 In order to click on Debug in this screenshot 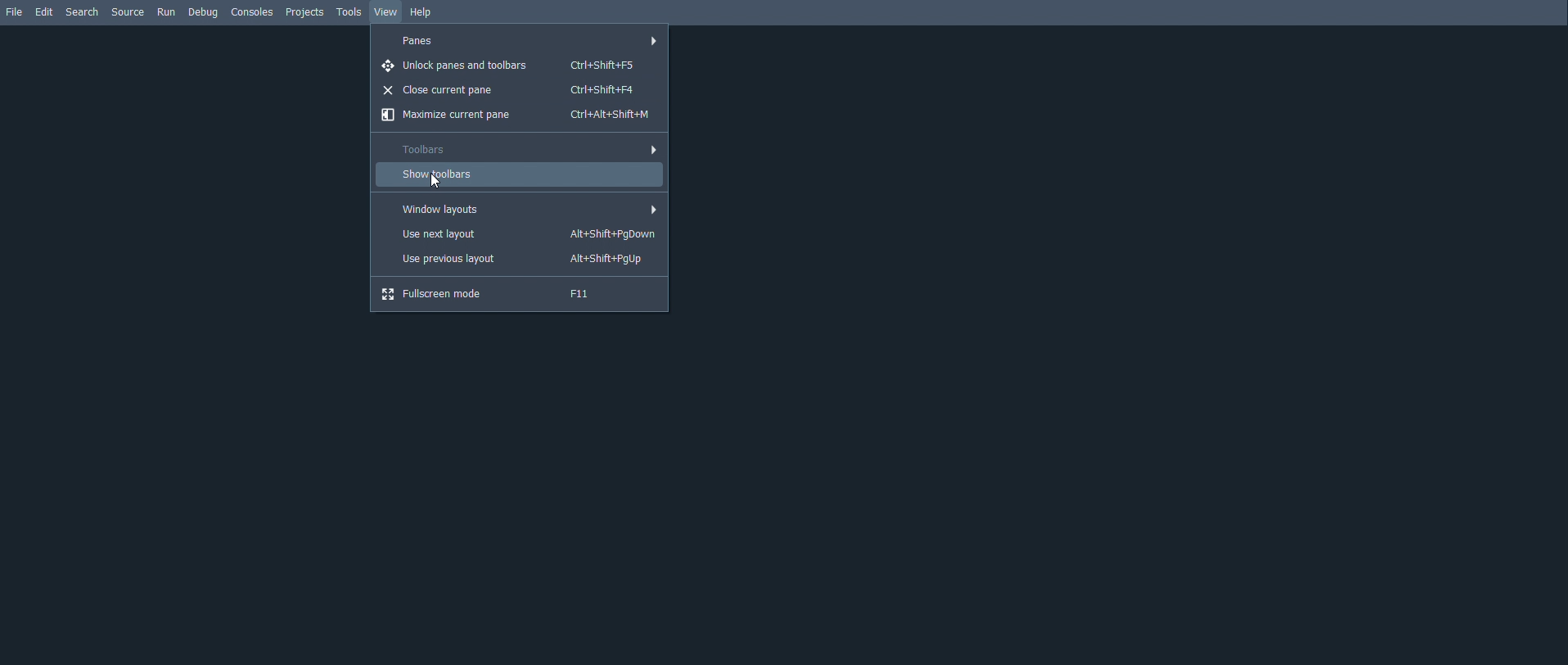, I will do `click(204, 14)`.